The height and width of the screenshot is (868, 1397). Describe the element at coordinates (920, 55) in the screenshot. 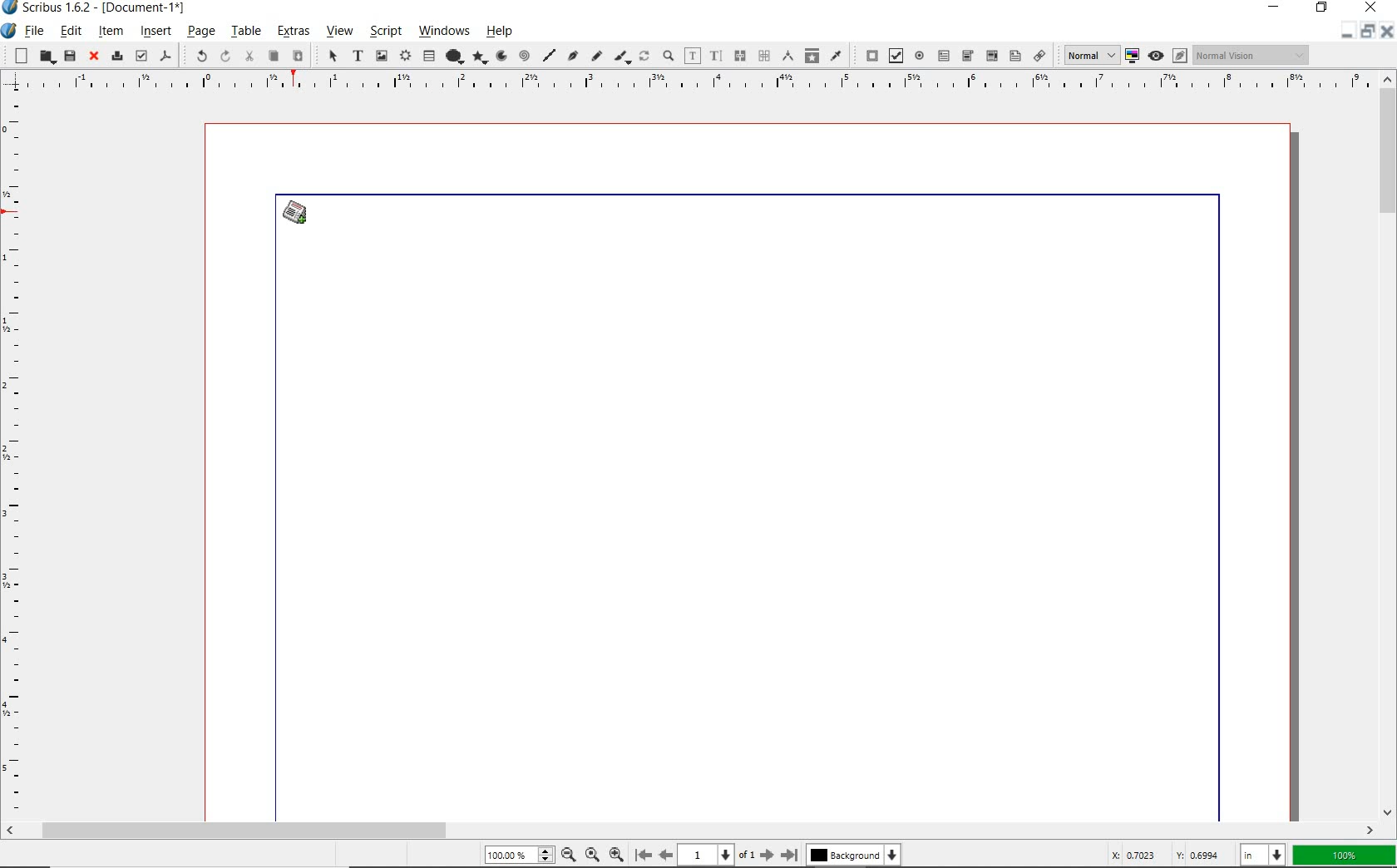

I see `pdf radio button` at that location.